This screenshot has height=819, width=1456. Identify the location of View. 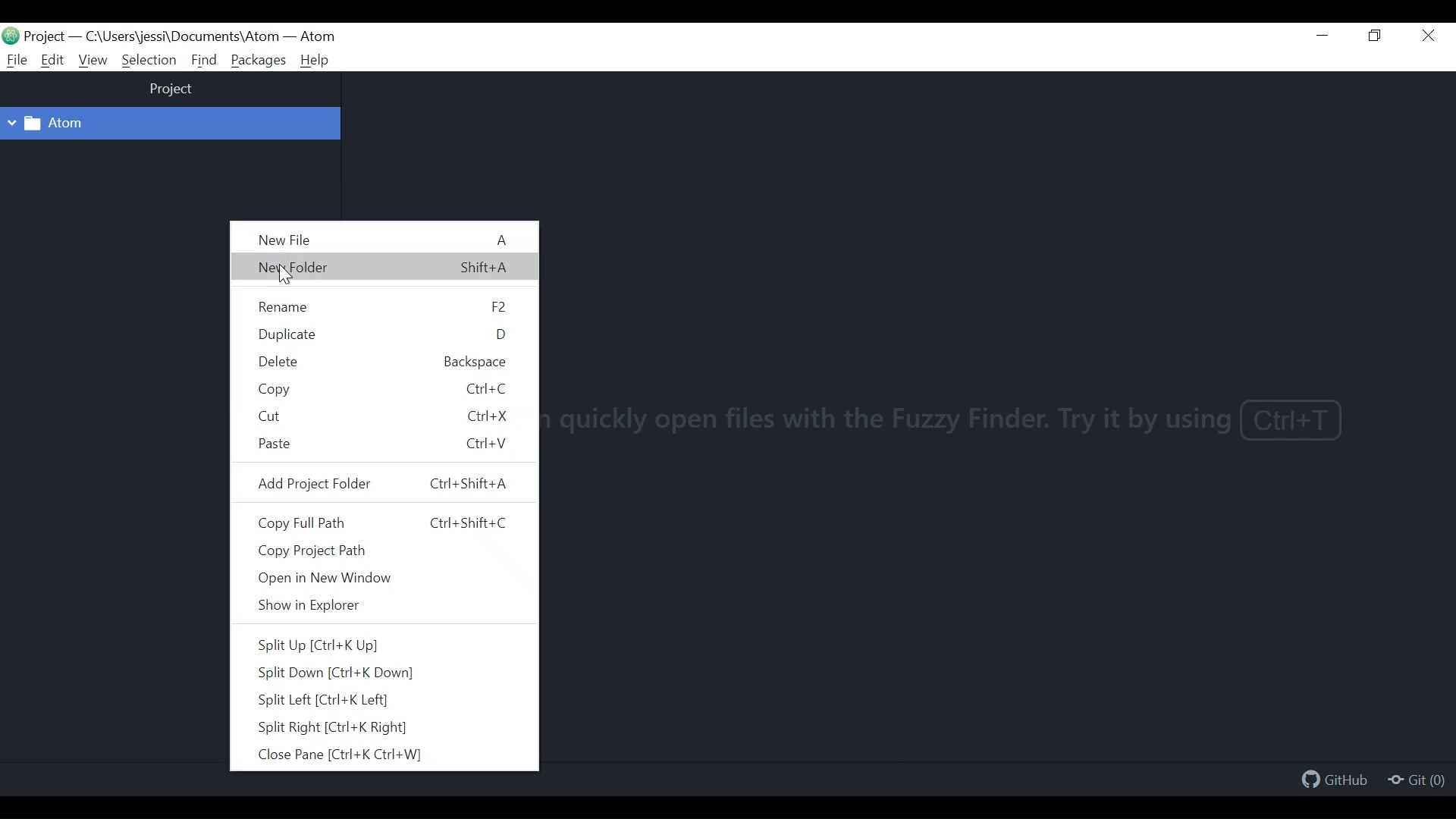
(92, 61).